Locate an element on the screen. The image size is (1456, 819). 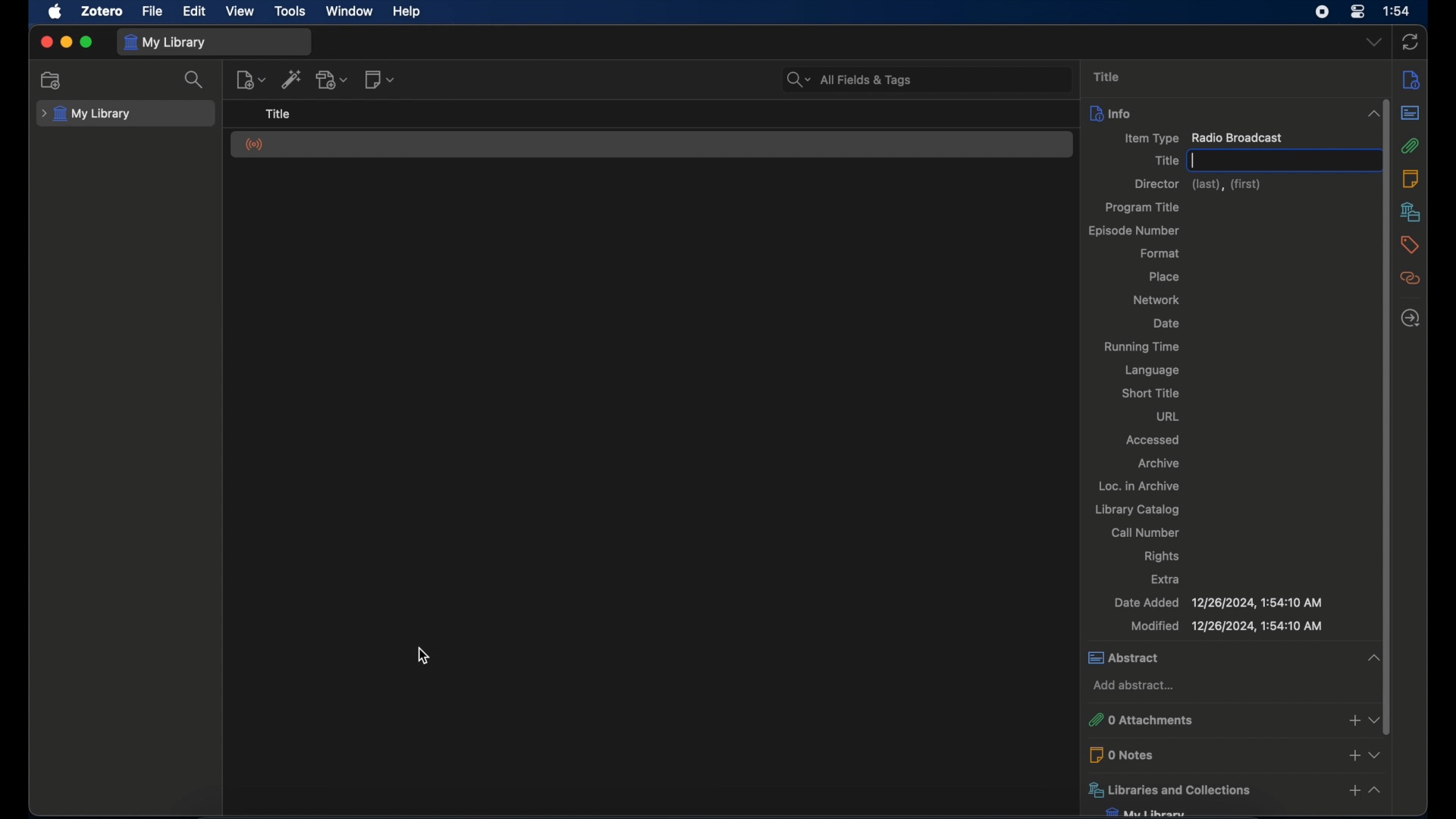
notes is located at coordinates (1411, 177).